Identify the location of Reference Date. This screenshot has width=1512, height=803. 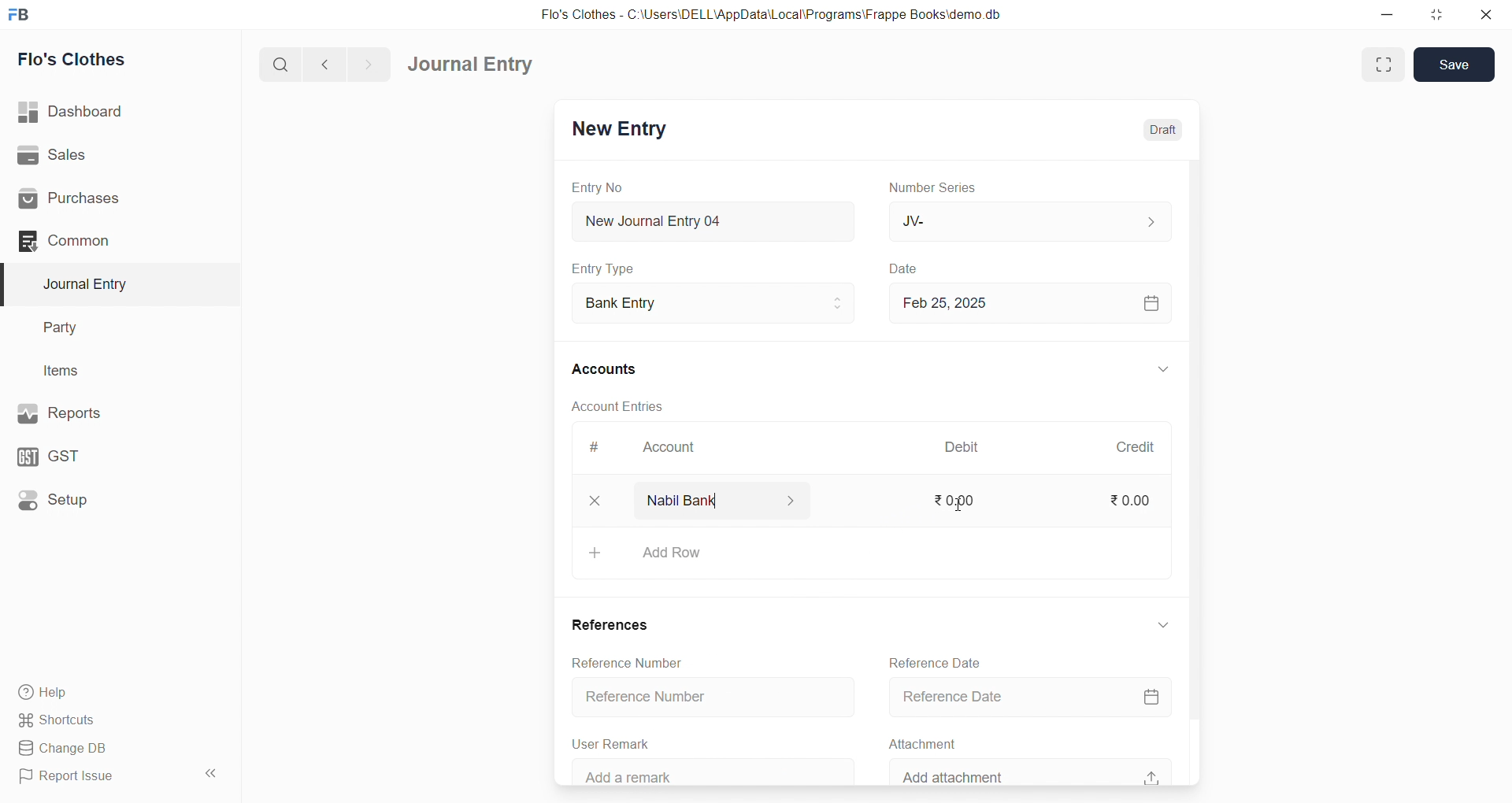
(1026, 698).